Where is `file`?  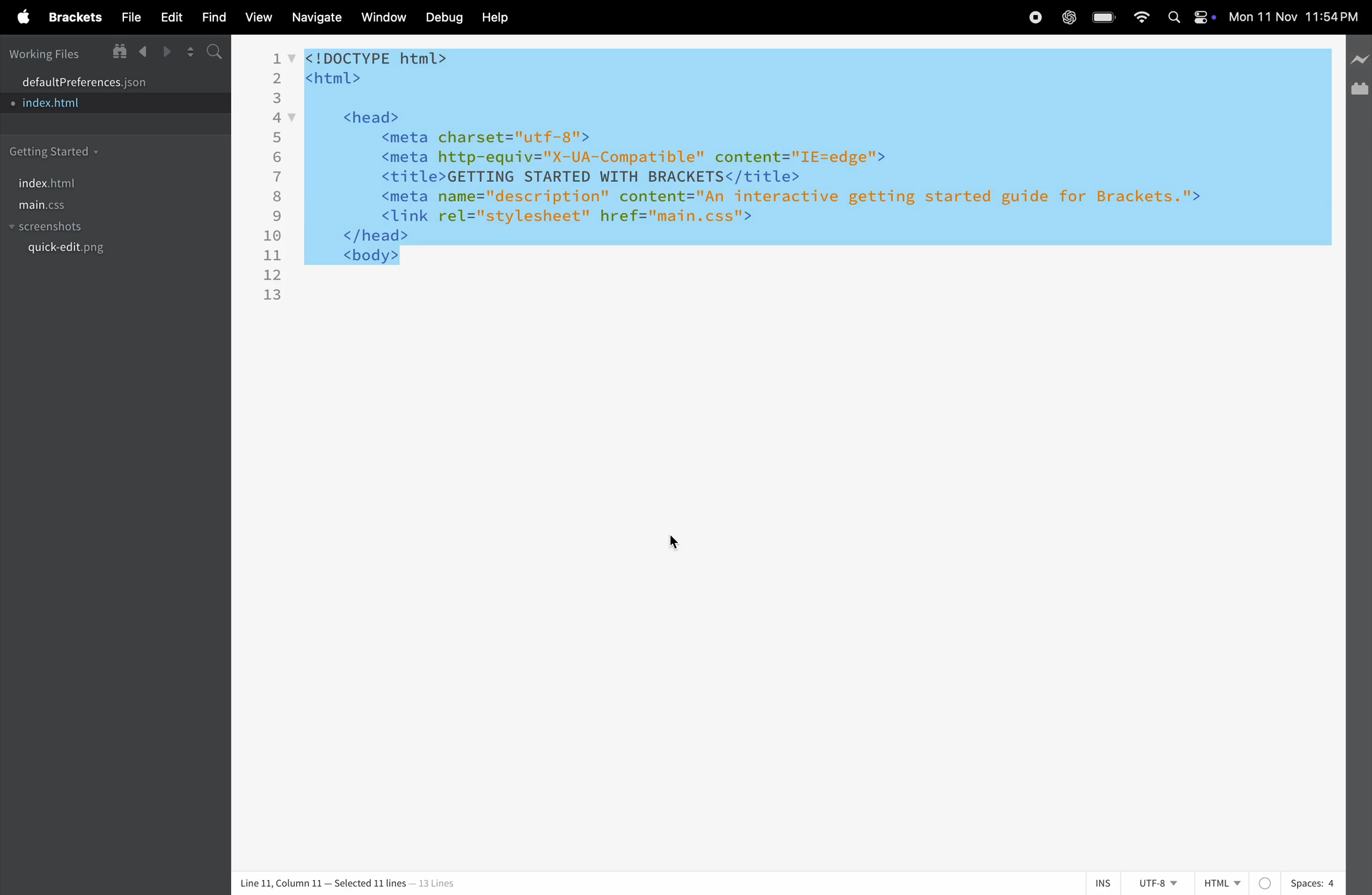
file is located at coordinates (127, 17).